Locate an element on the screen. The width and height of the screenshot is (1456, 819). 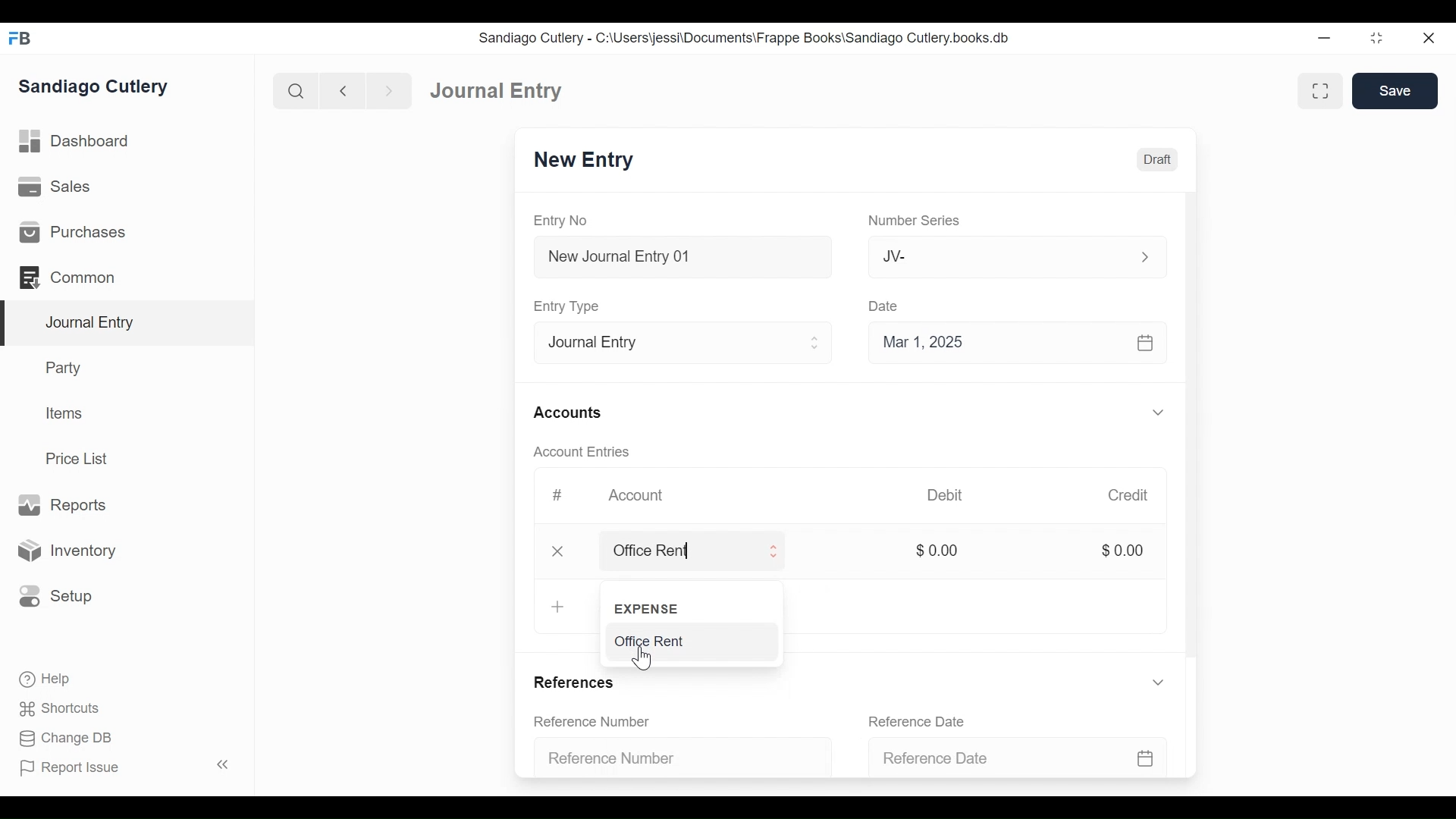
search  is located at coordinates (293, 88).